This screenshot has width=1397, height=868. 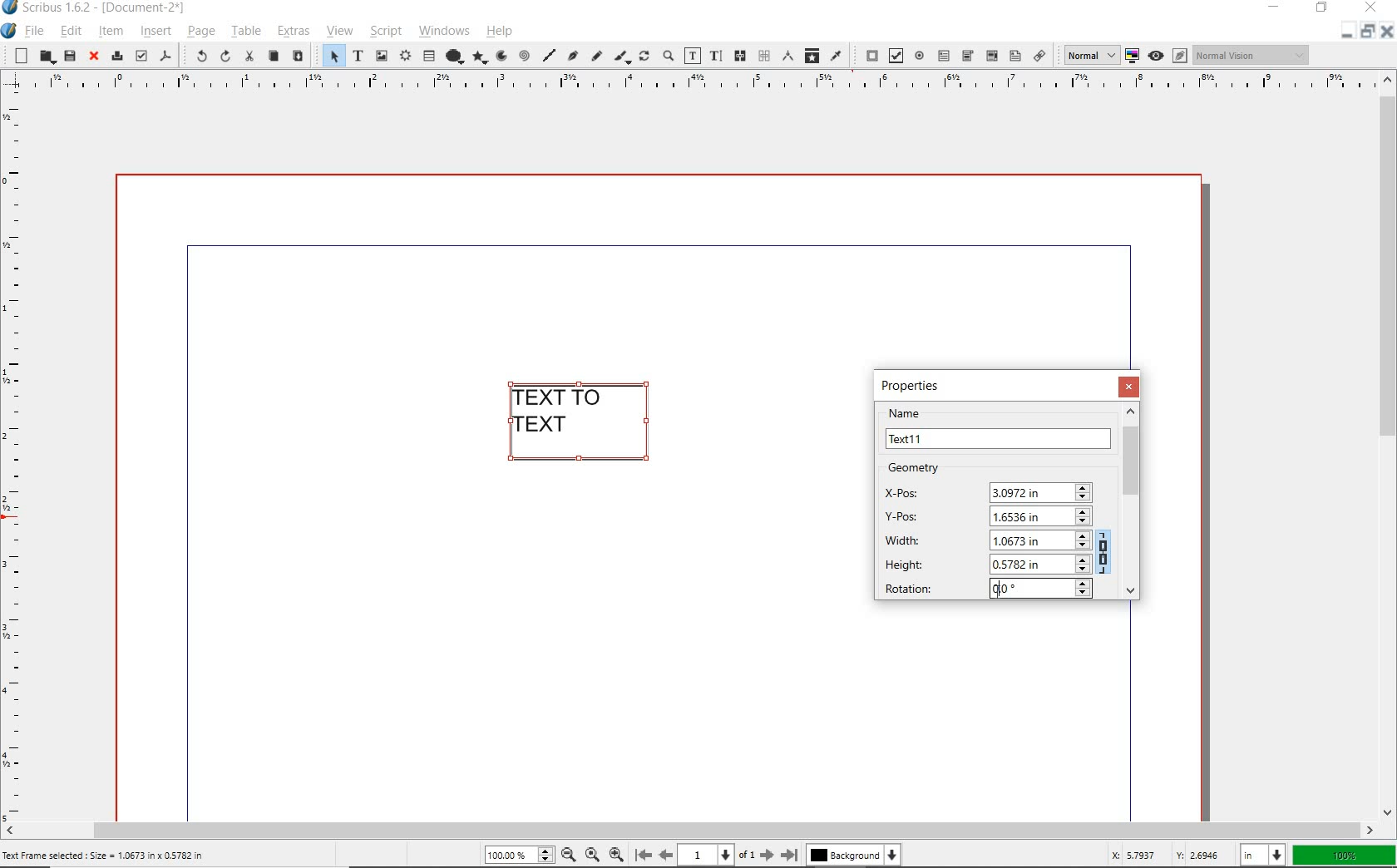 What do you see at coordinates (1345, 34) in the screenshot?
I see `minimize` at bounding box center [1345, 34].